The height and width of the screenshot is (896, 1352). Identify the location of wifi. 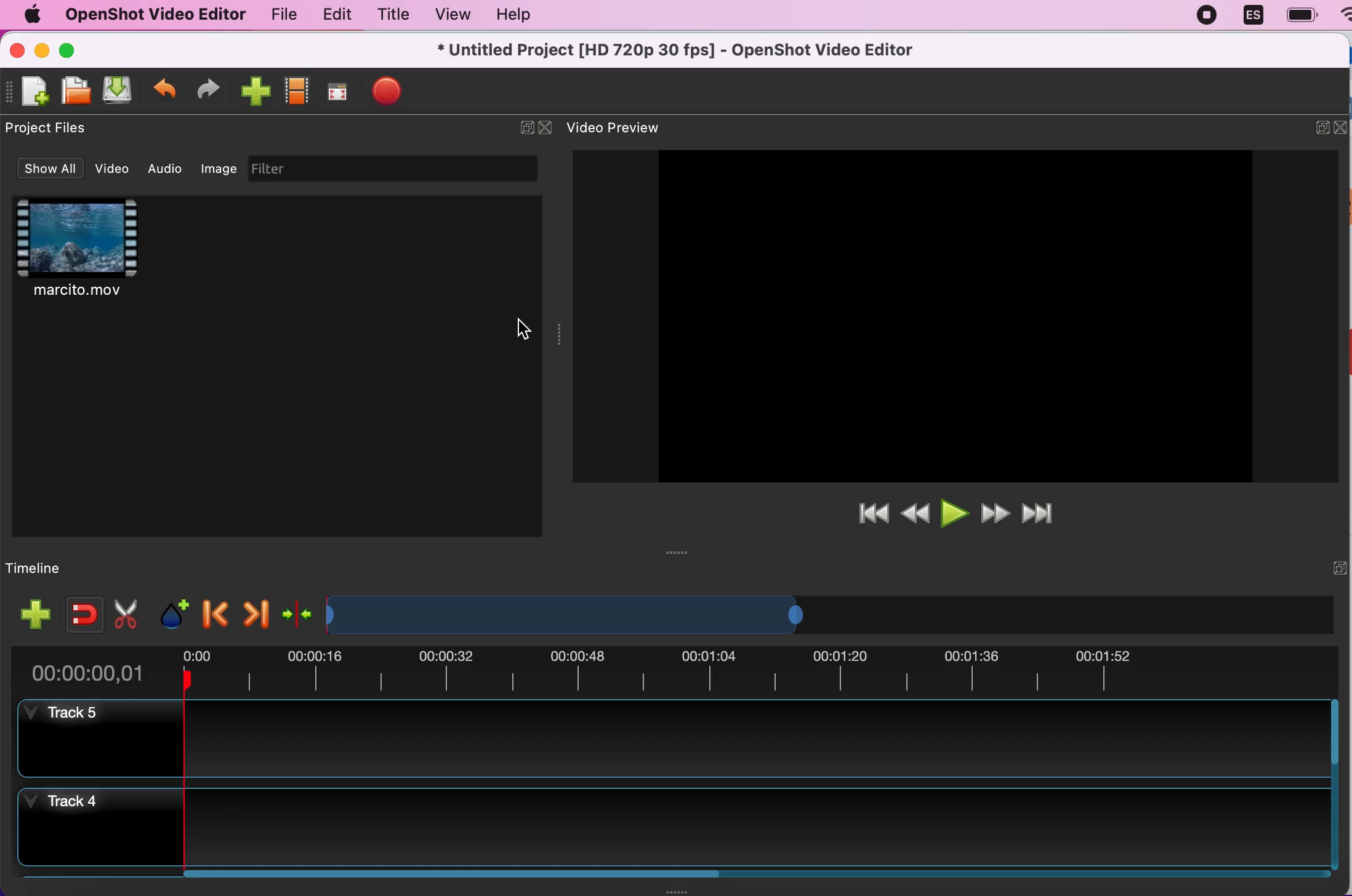
(1339, 16).